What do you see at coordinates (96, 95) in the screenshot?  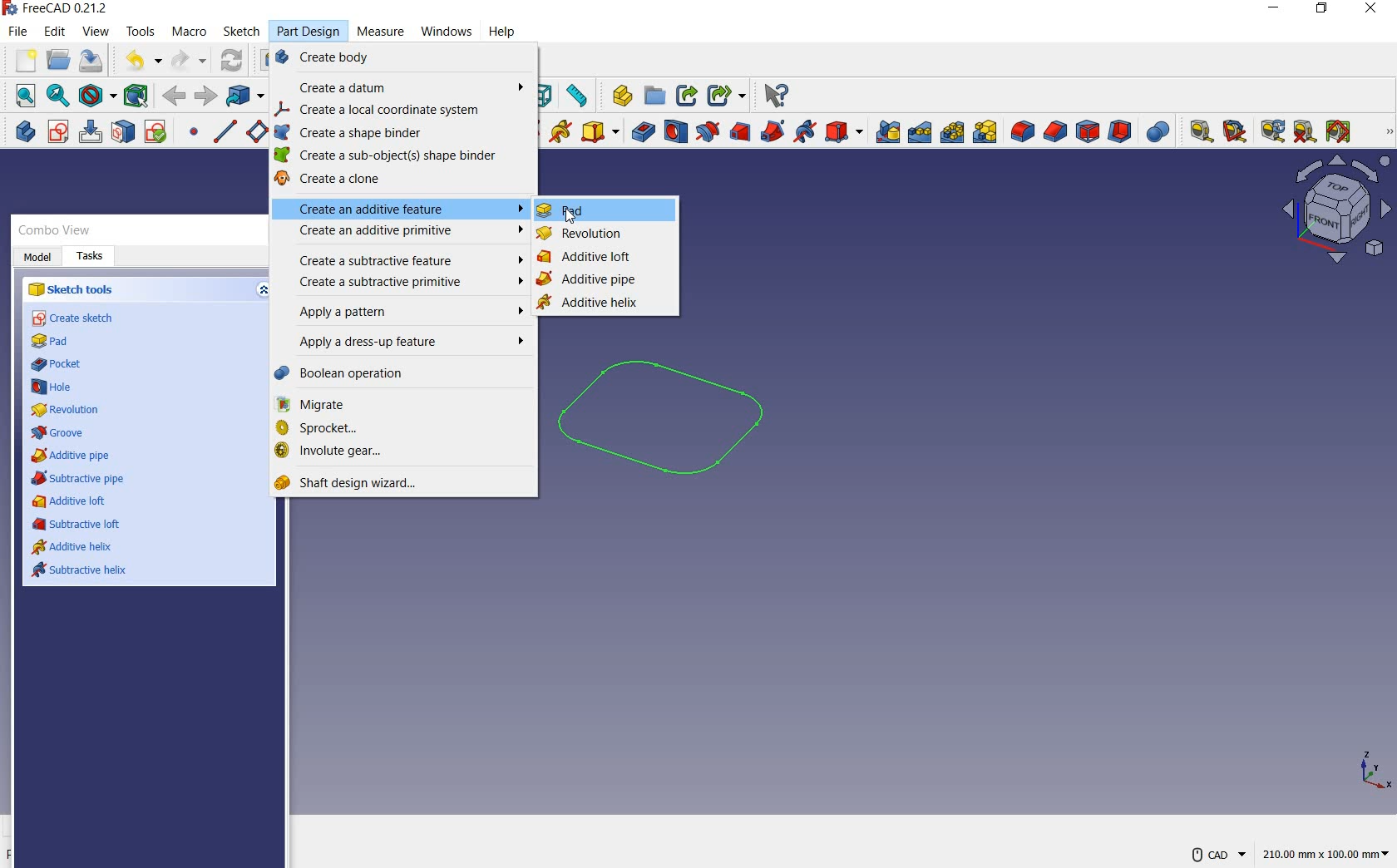 I see `draw style` at bounding box center [96, 95].